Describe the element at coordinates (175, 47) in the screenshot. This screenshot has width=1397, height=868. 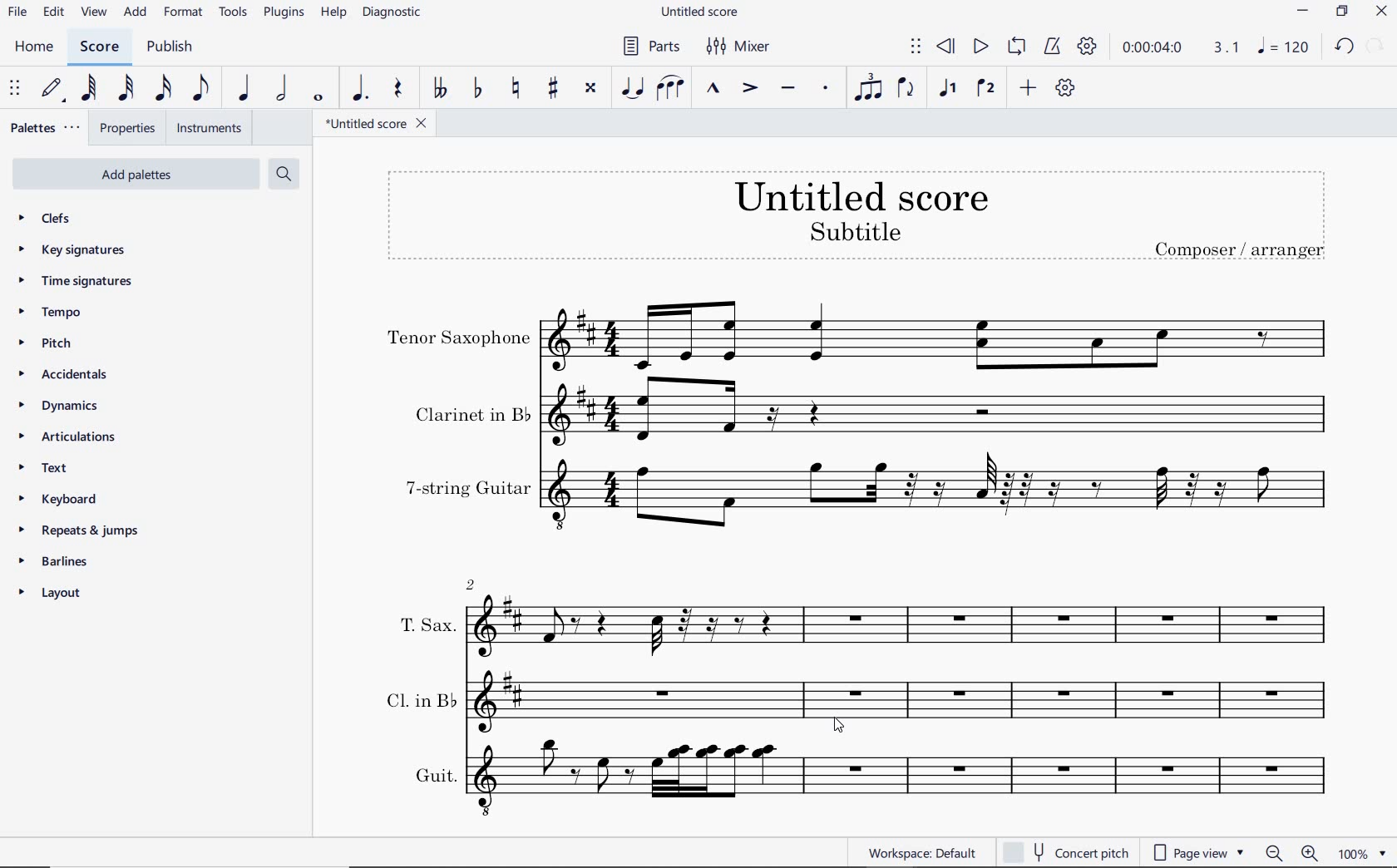
I see `PUBLISH` at that location.